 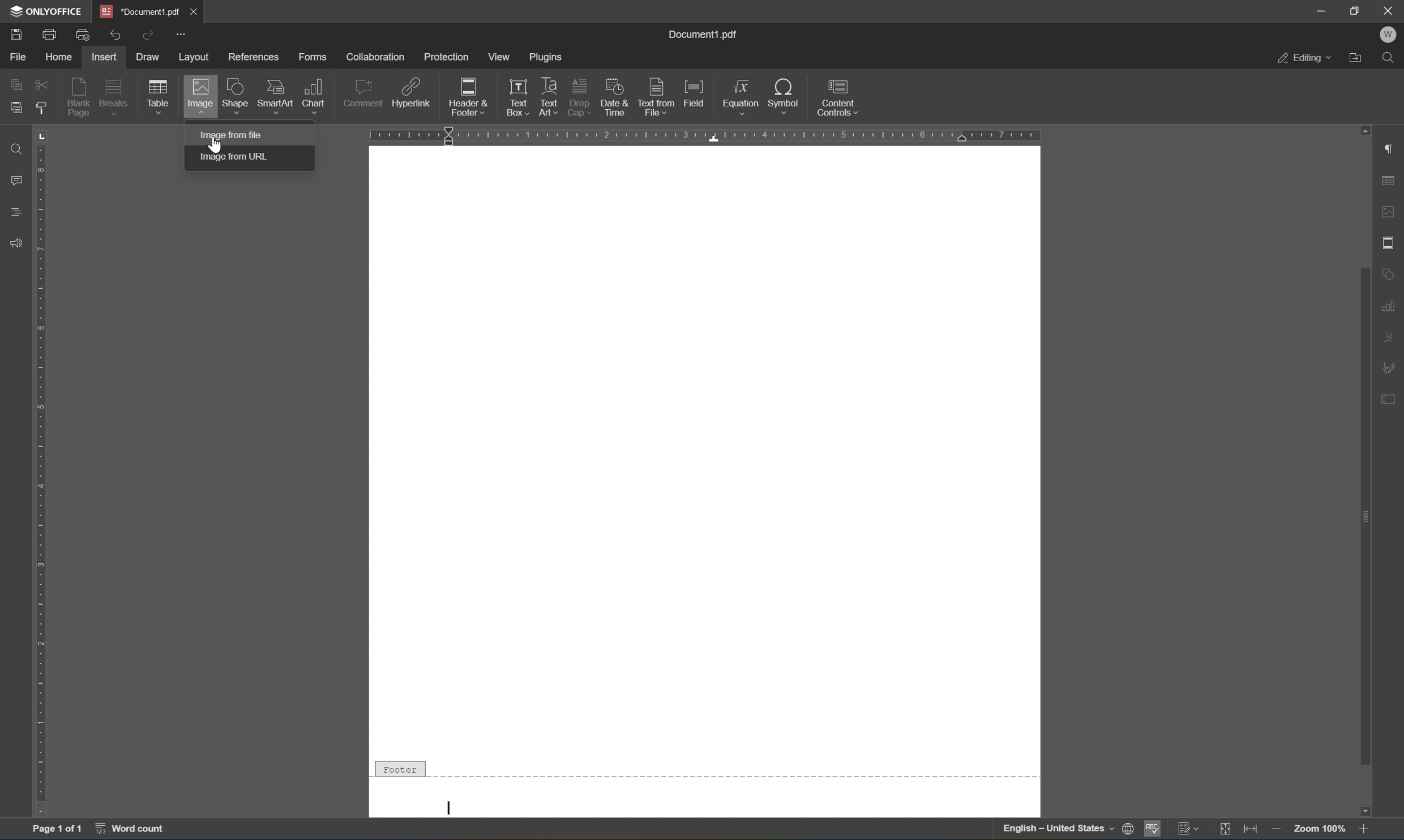 What do you see at coordinates (236, 134) in the screenshot?
I see `image from file` at bounding box center [236, 134].